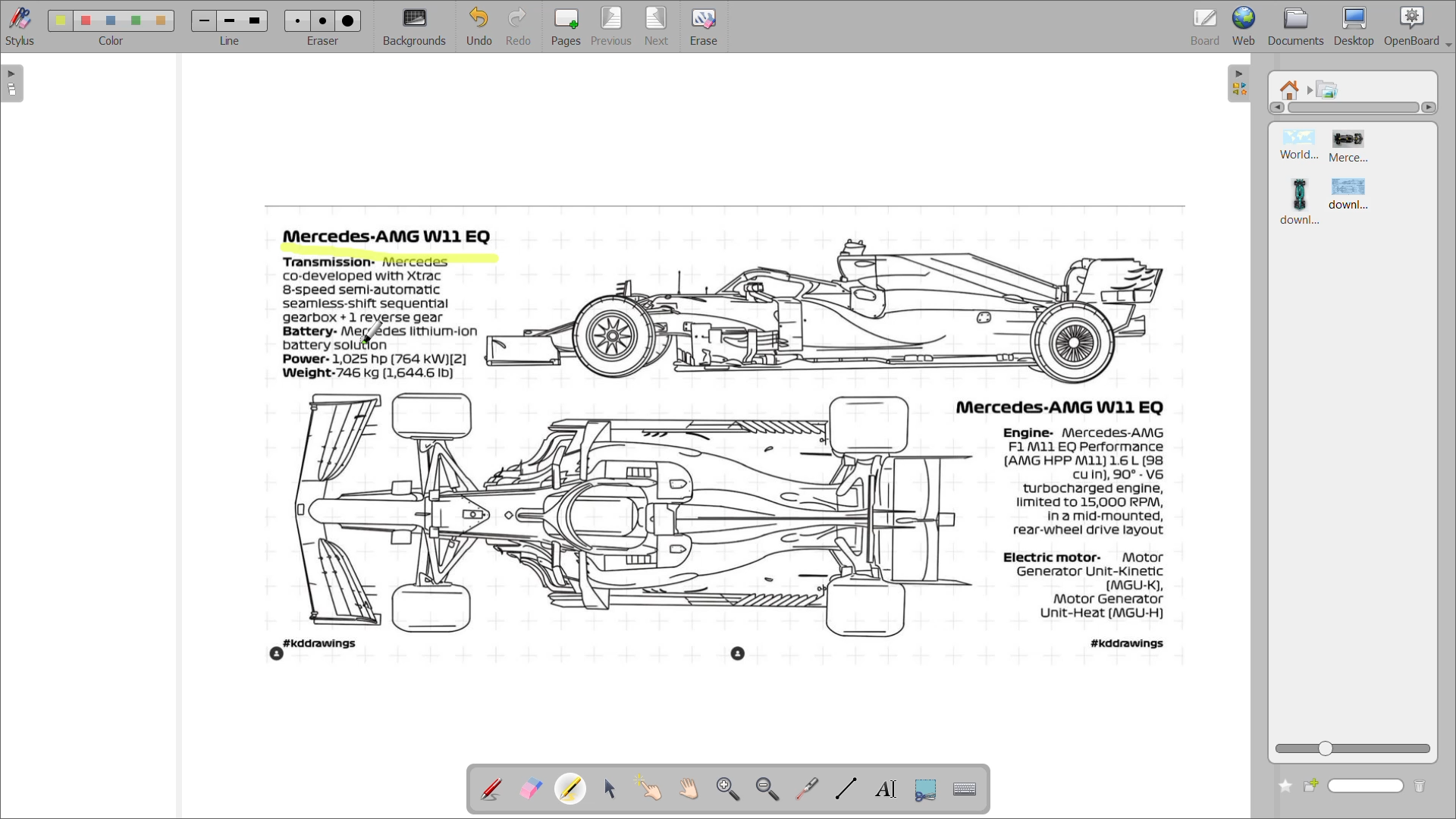  What do you see at coordinates (324, 42) in the screenshot?
I see `eraser` at bounding box center [324, 42].